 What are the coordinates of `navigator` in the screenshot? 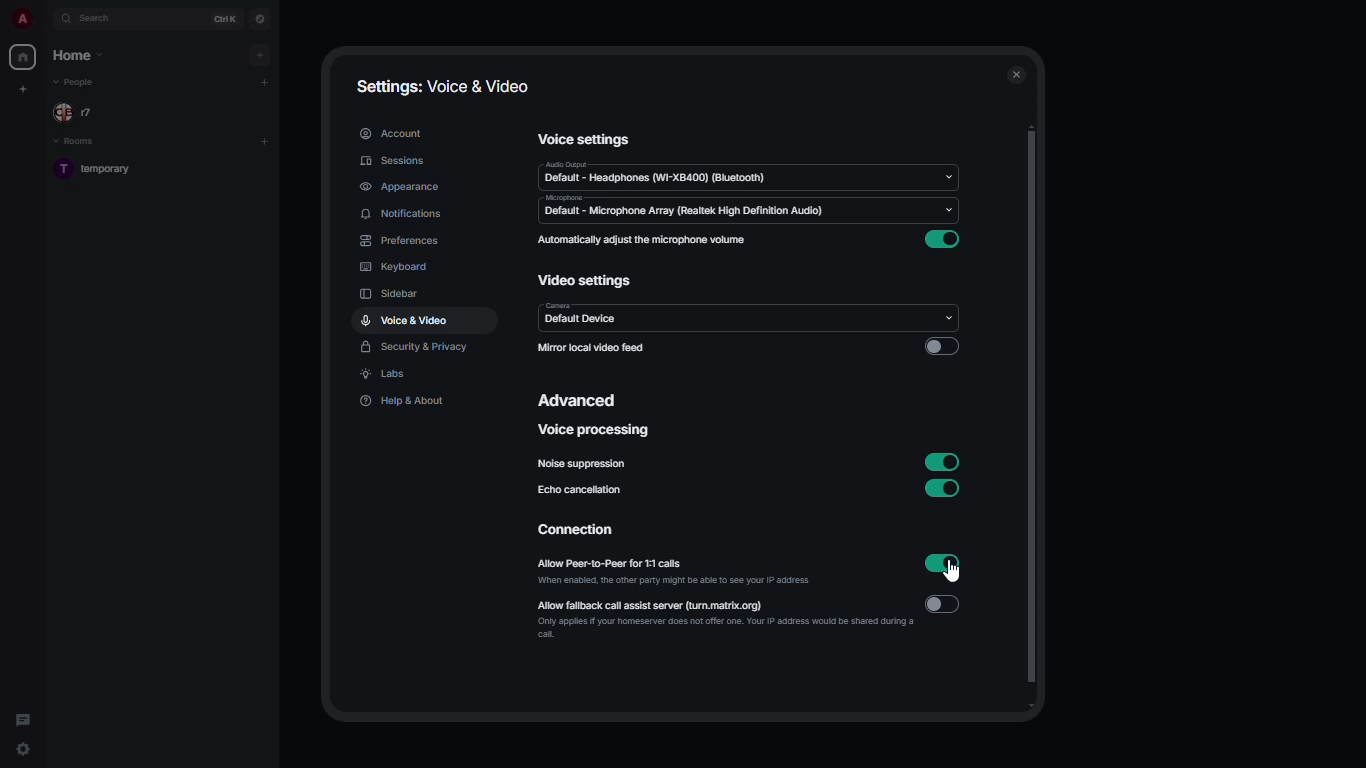 It's located at (261, 18).